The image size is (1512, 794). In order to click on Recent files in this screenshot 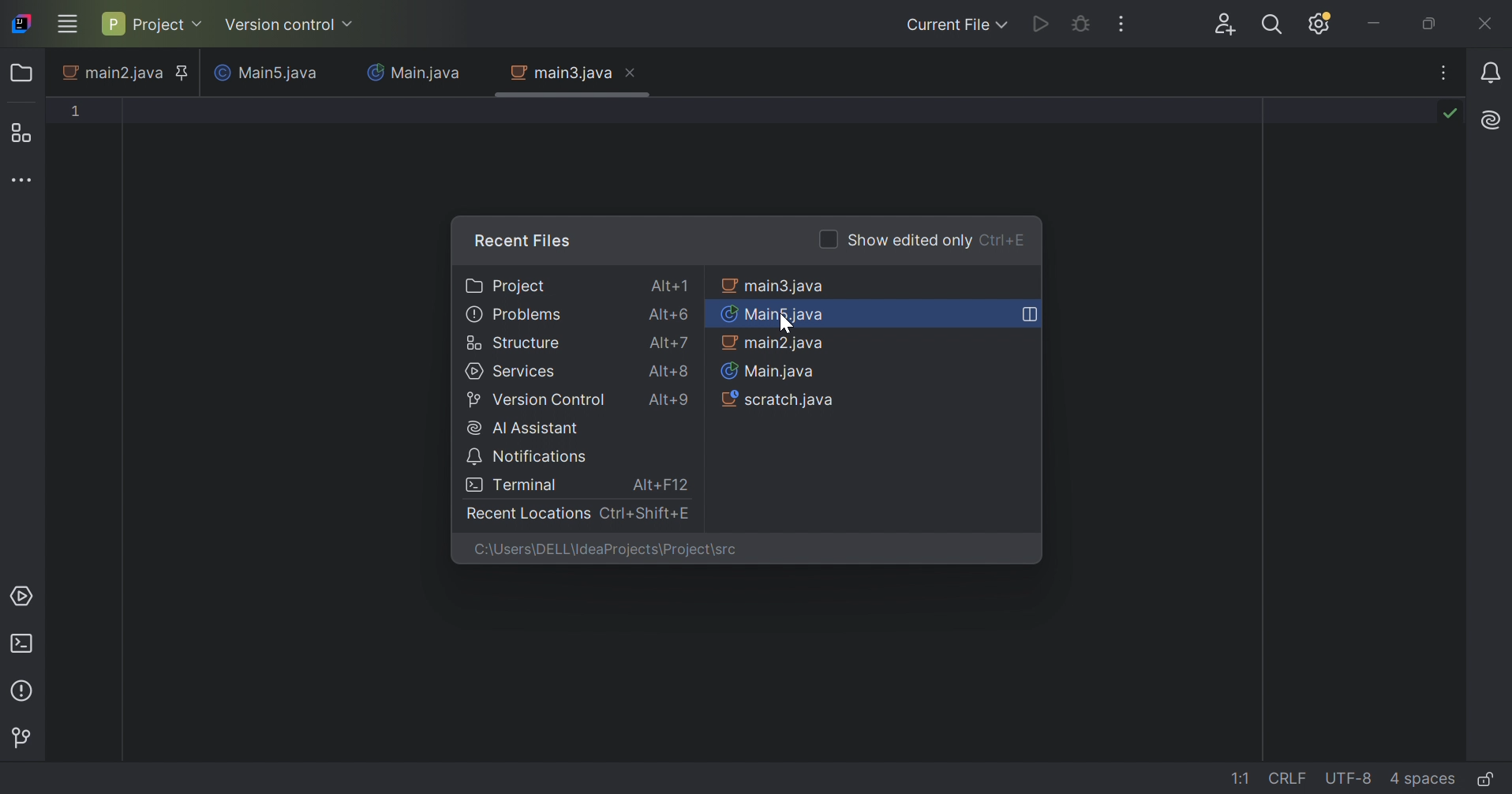, I will do `click(522, 242)`.